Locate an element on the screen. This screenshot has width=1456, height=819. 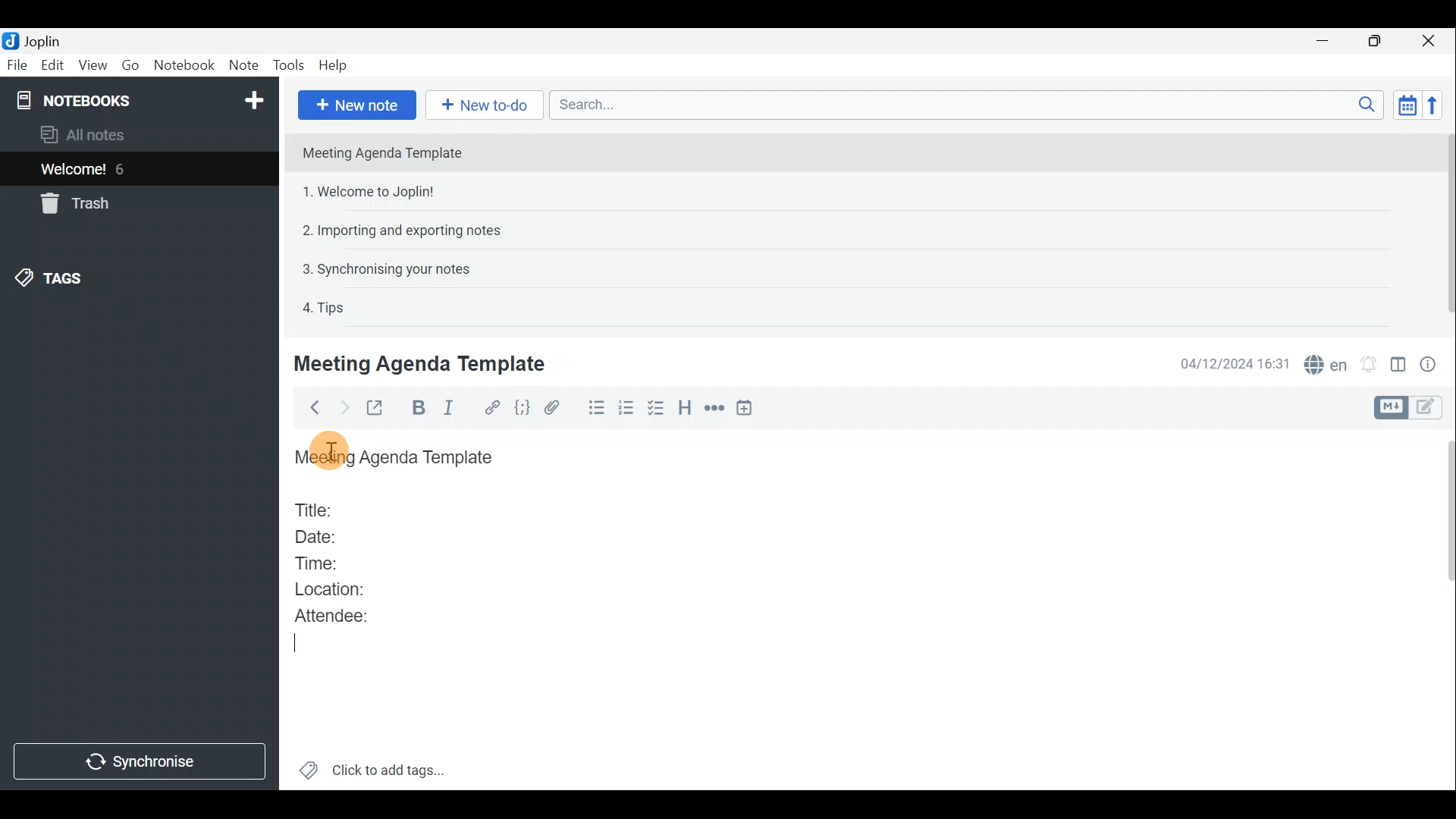
Location: is located at coordinates (335, 590).